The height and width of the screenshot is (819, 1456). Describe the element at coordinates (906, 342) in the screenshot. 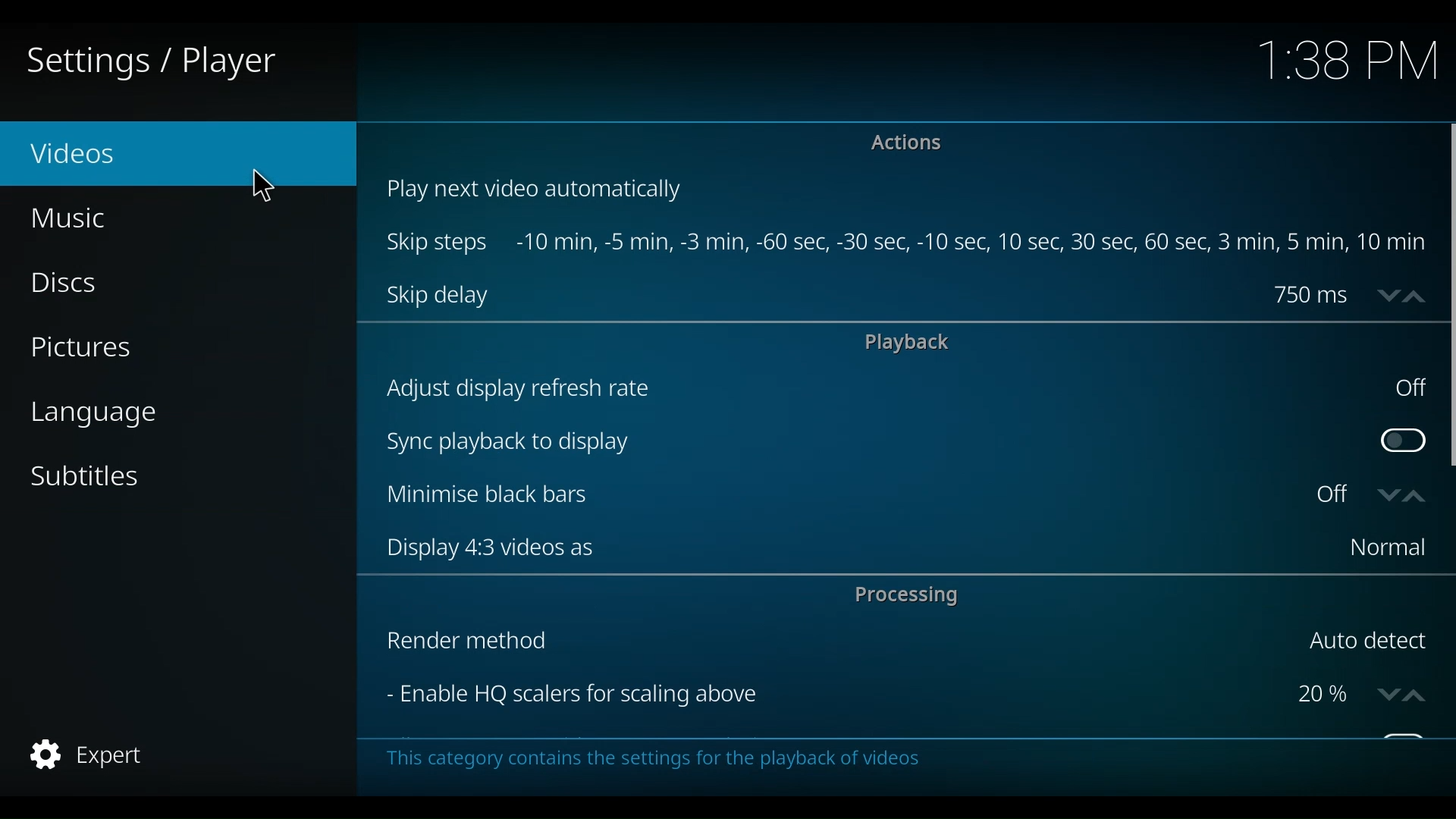

I see `playback` at that location.